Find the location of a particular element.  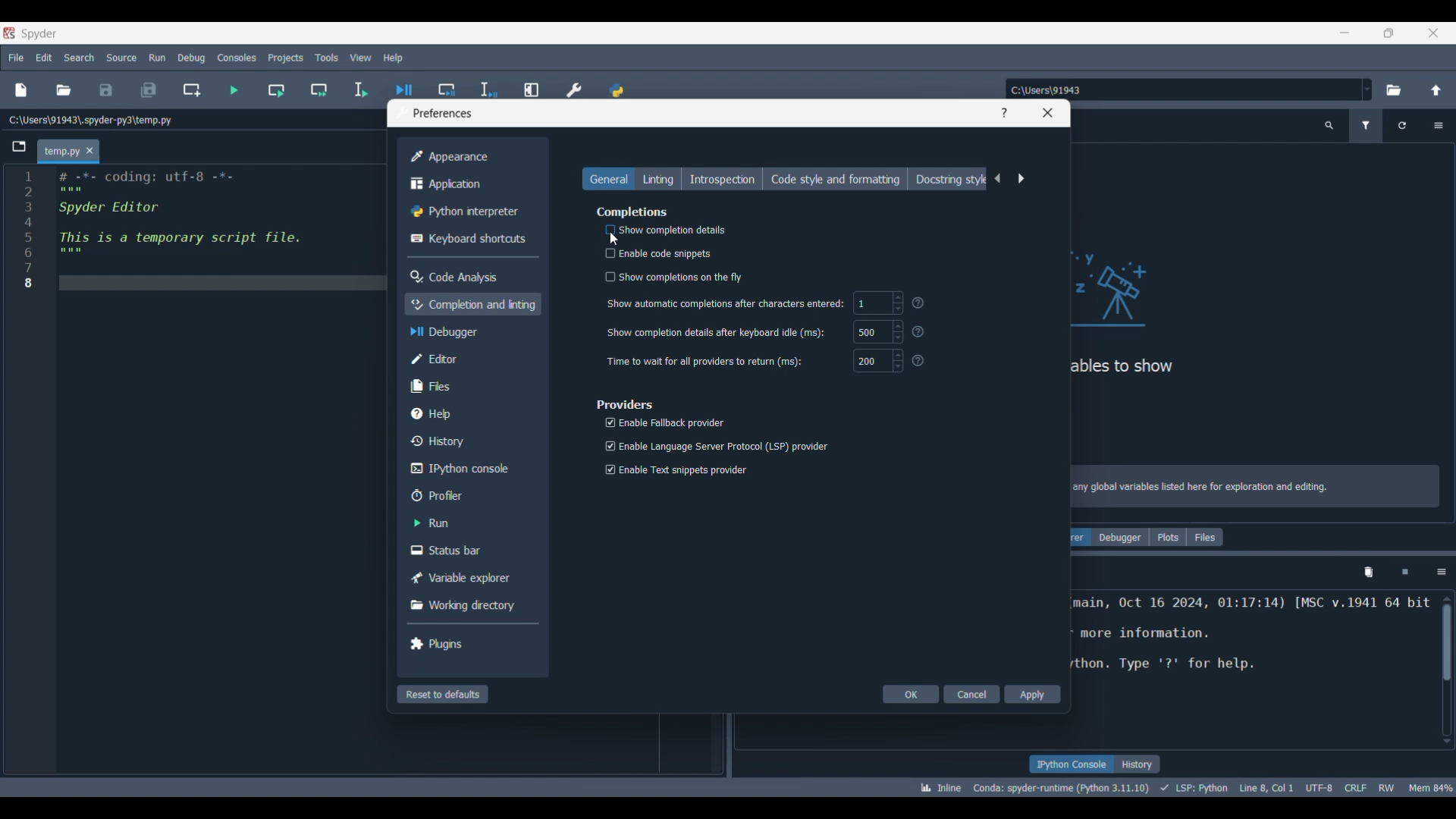

Close window is located at coordinates (1048, 113).